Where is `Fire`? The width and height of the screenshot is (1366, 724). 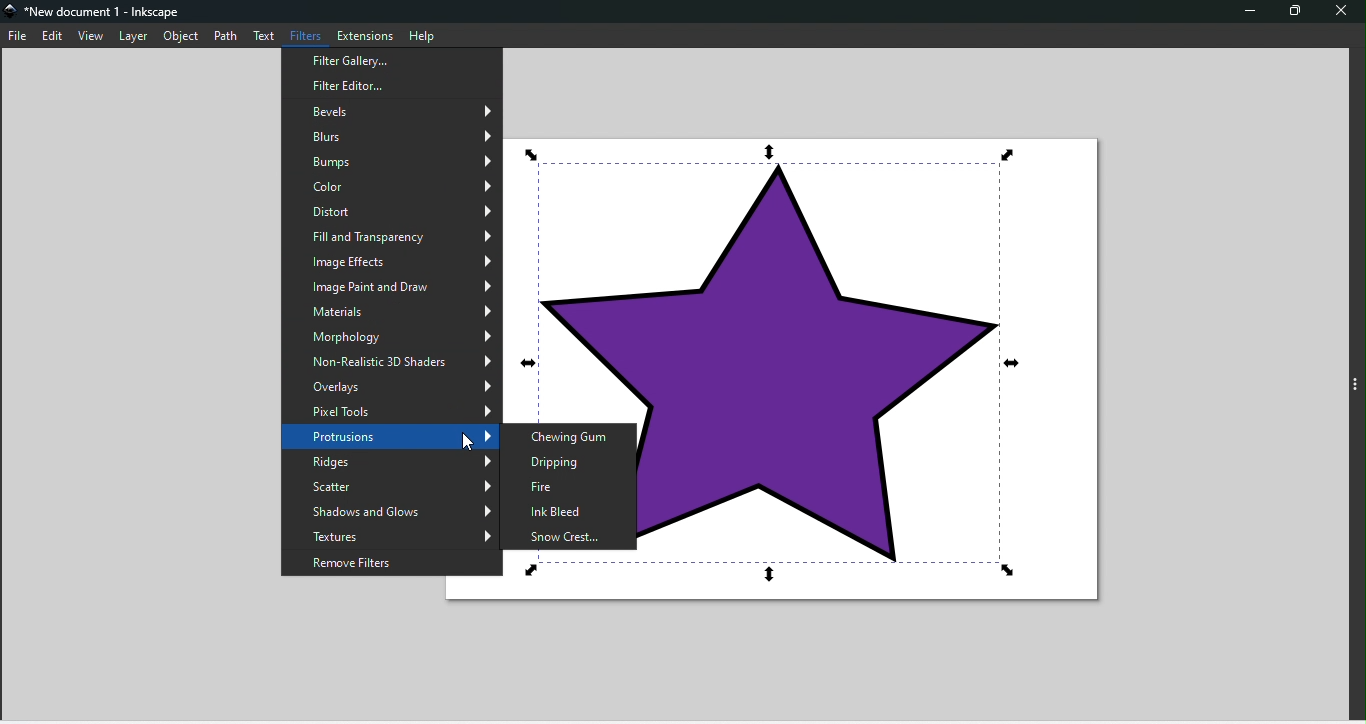 Fire is located at coordinates (568, 485).